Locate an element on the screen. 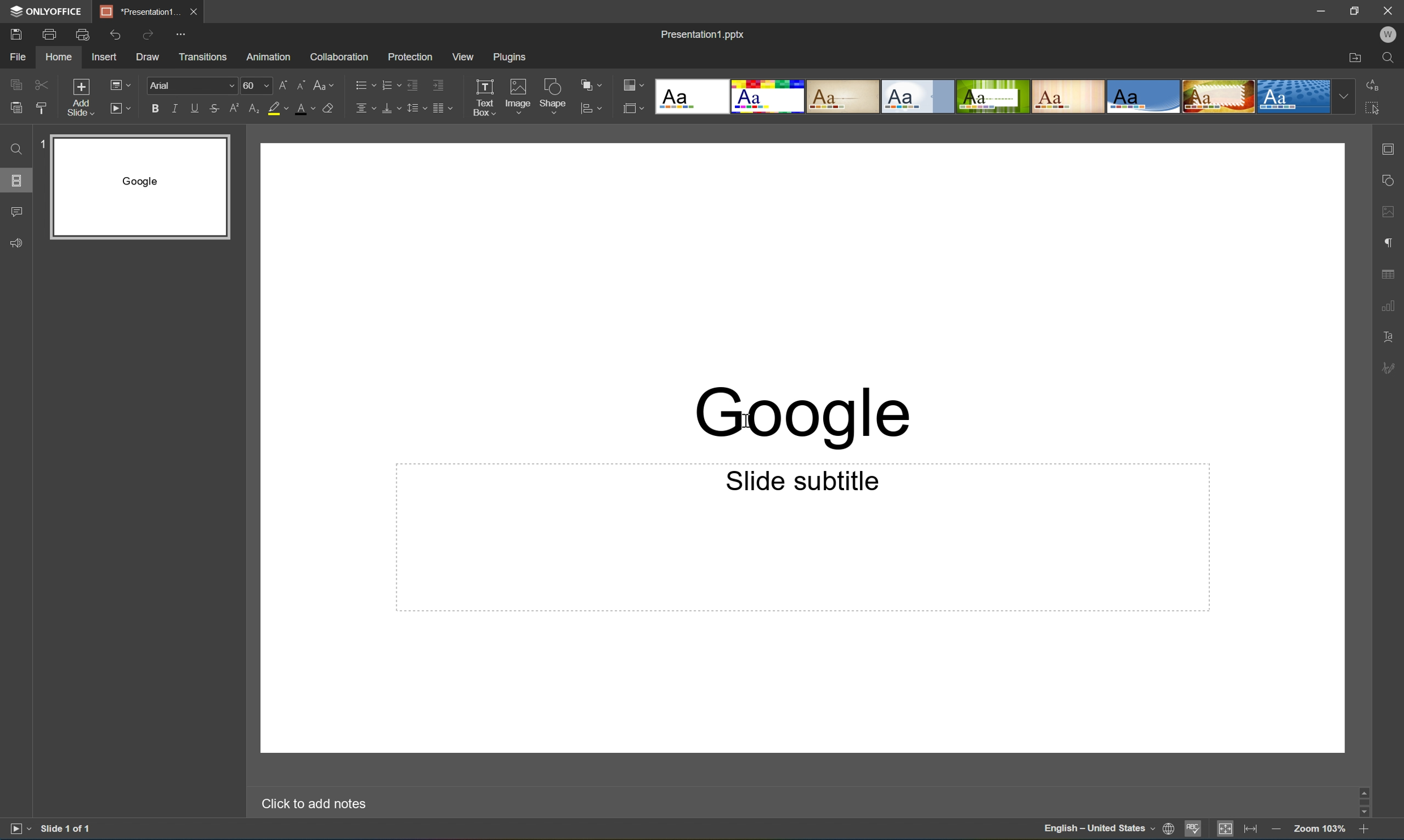  Add slide is located at coordinates (84, 97).